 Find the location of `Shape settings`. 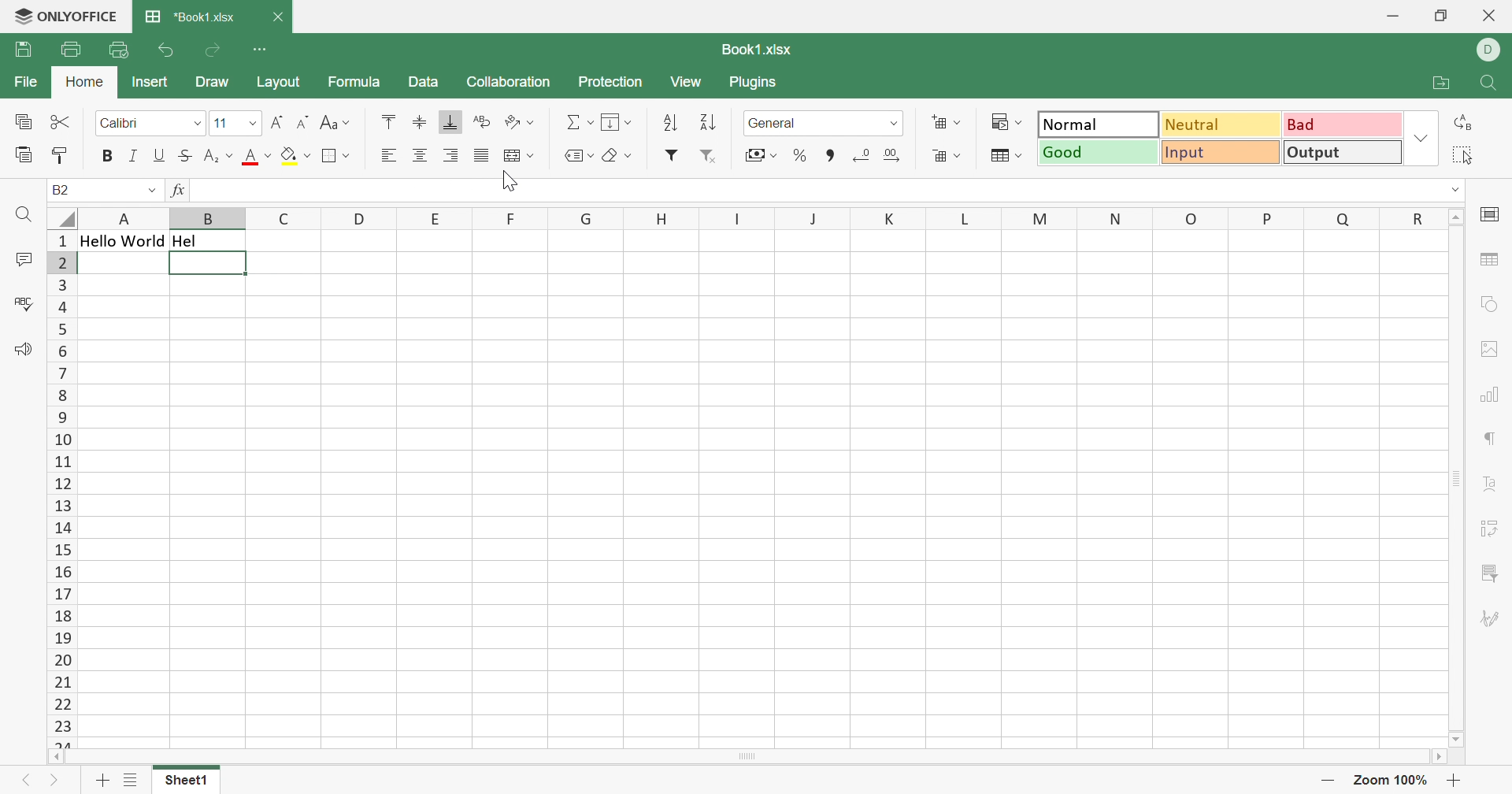

Shape settings is located at coordinates (1486, 307).